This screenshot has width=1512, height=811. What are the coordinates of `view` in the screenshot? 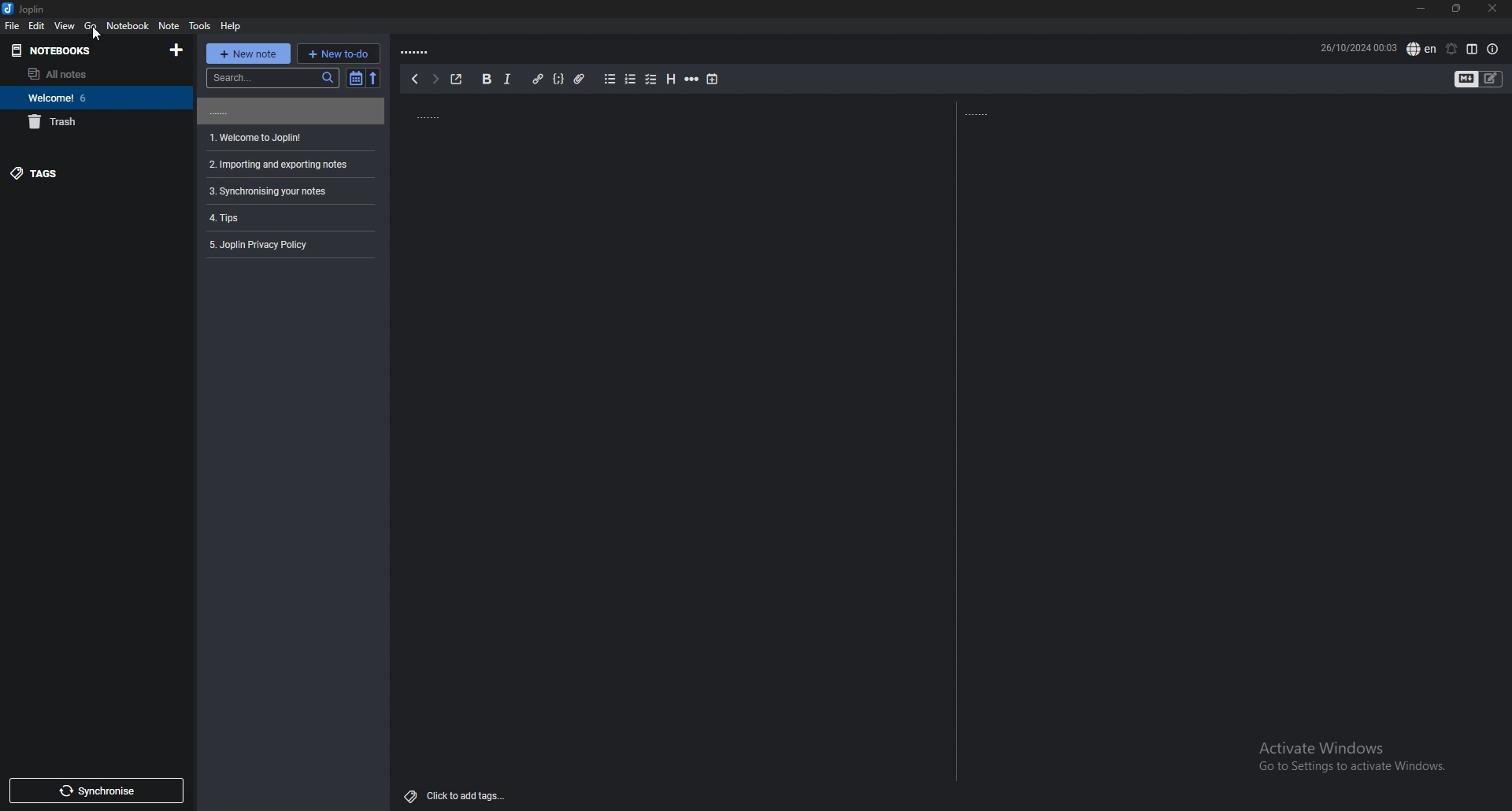 It's located at (65, 25).